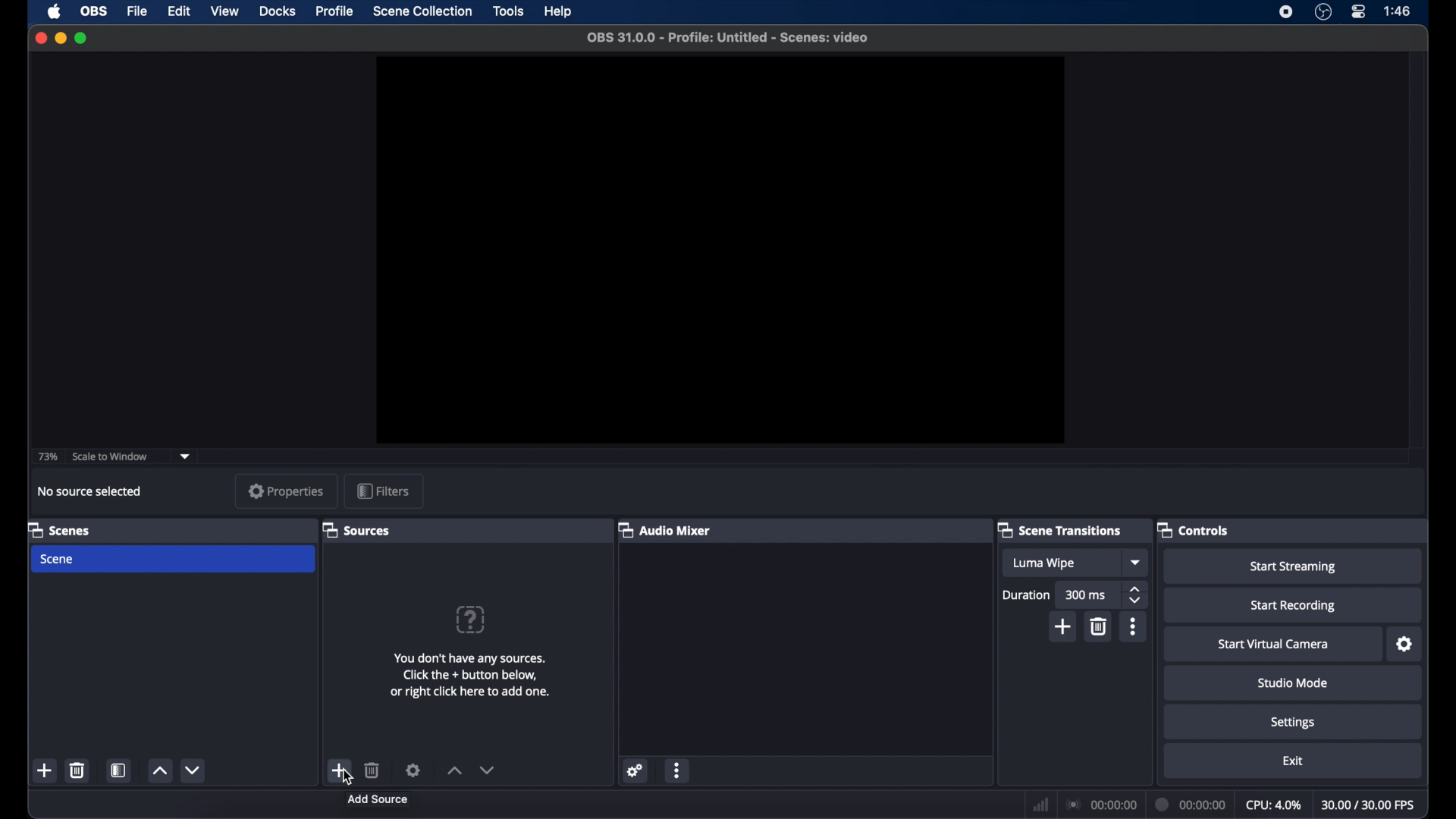 The image size is (1456, 819). What do you see at coordinates (488, 770) in the screenshot?
I see `decrement` at bounding box center [488, 770].